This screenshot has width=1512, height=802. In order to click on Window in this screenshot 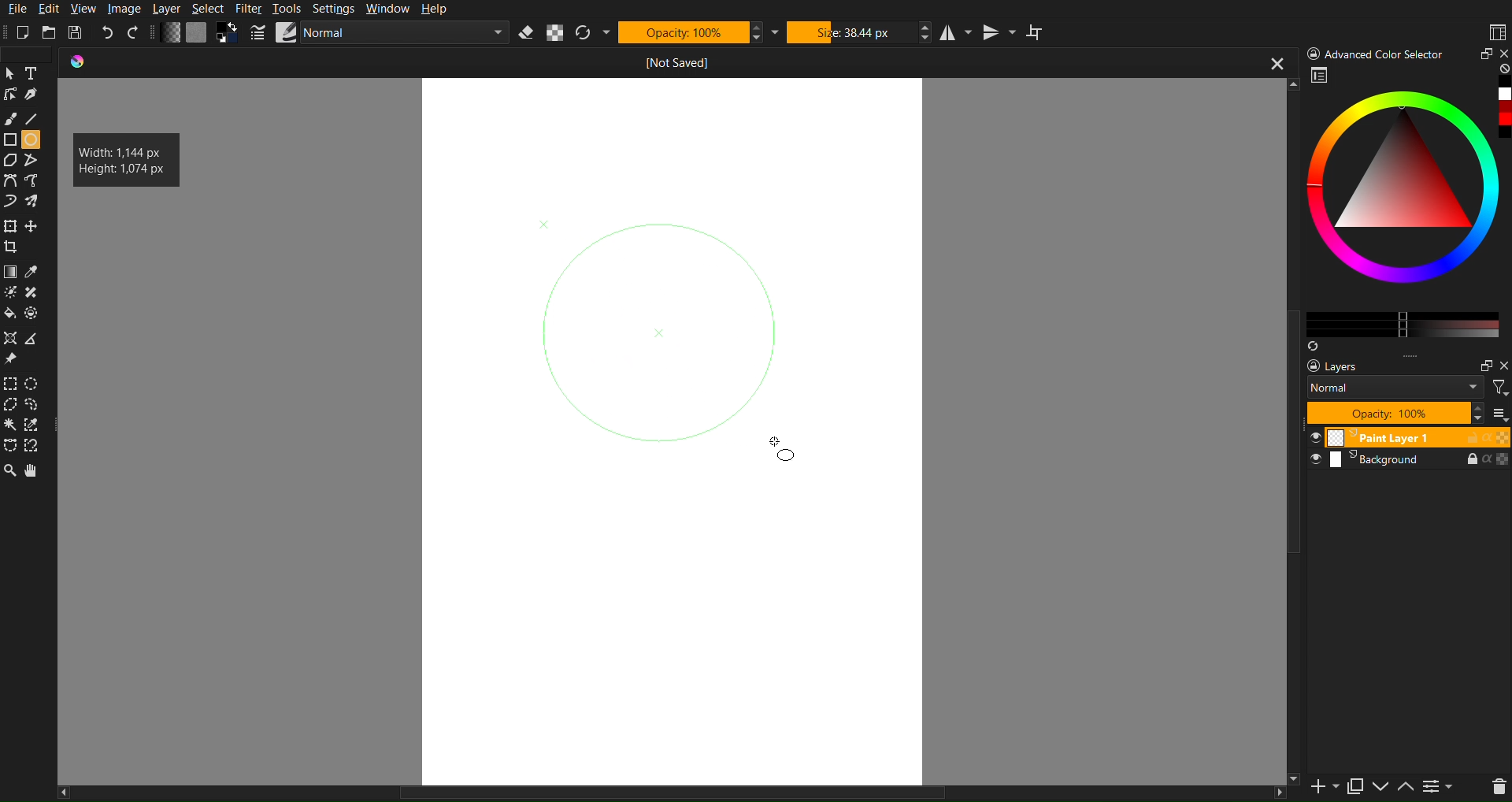, I will do `click(390, 9)`.